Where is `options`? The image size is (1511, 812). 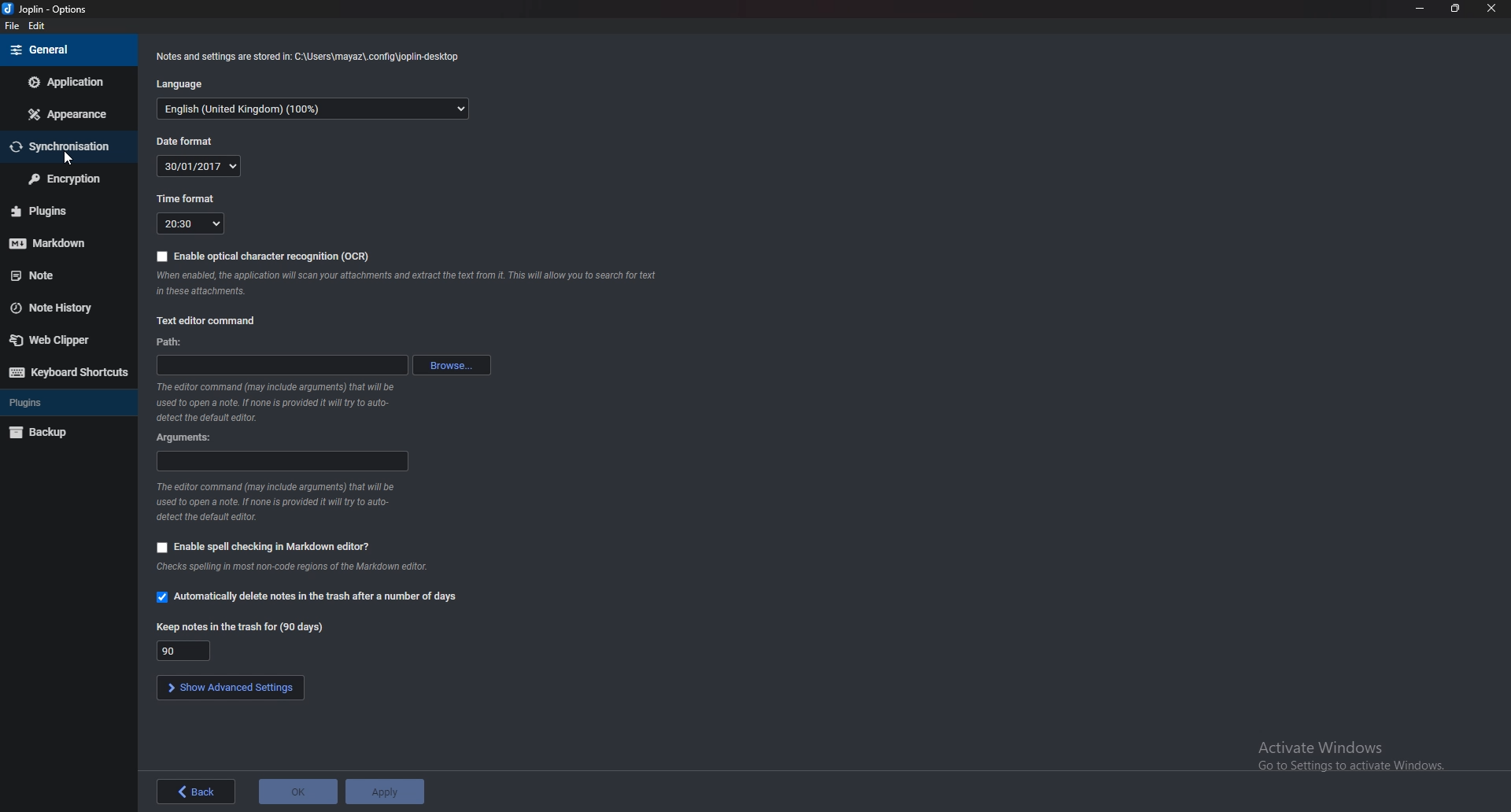
options is located at coordinates (47, 9).